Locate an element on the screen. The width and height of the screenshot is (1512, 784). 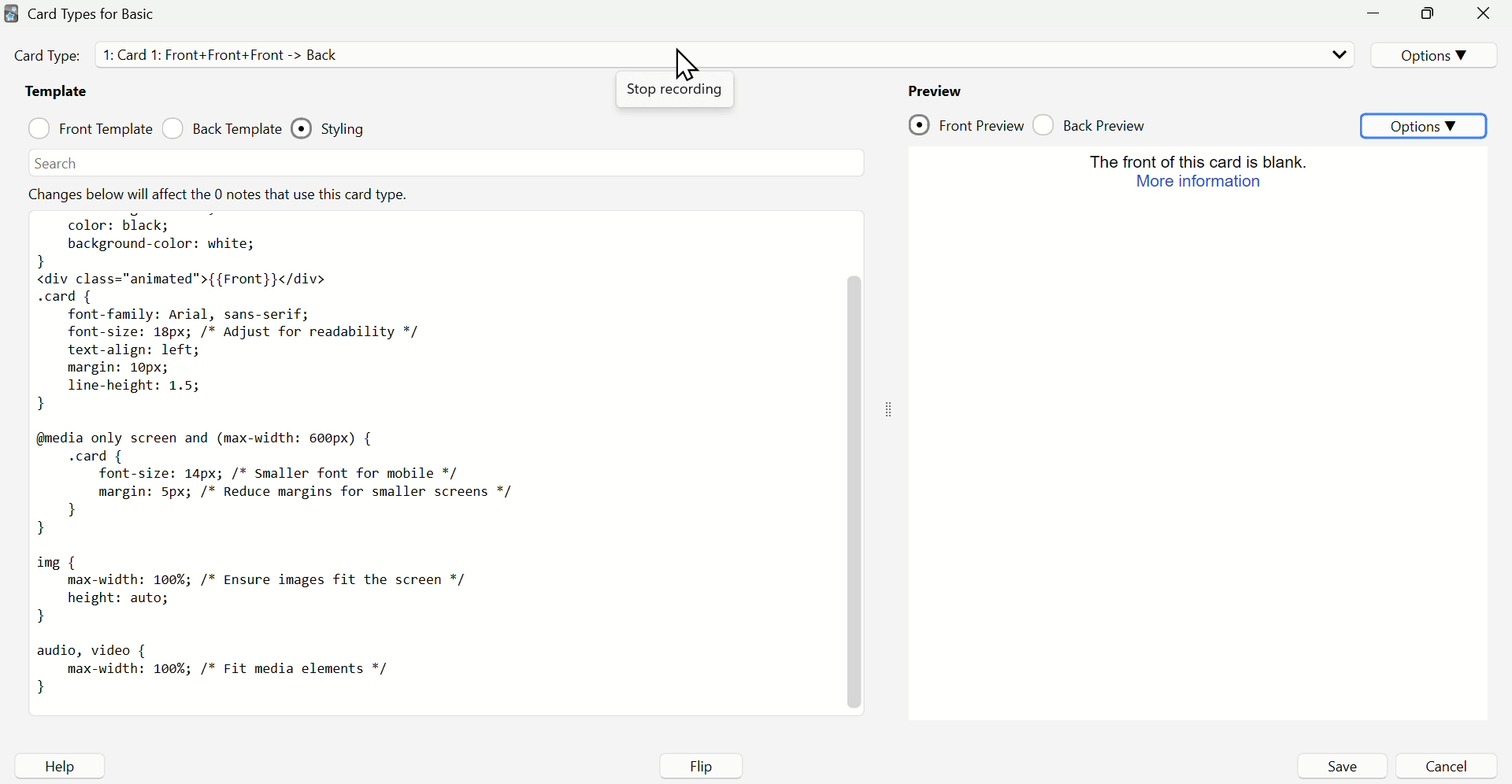
Options is located at coordinates (1426, 125).